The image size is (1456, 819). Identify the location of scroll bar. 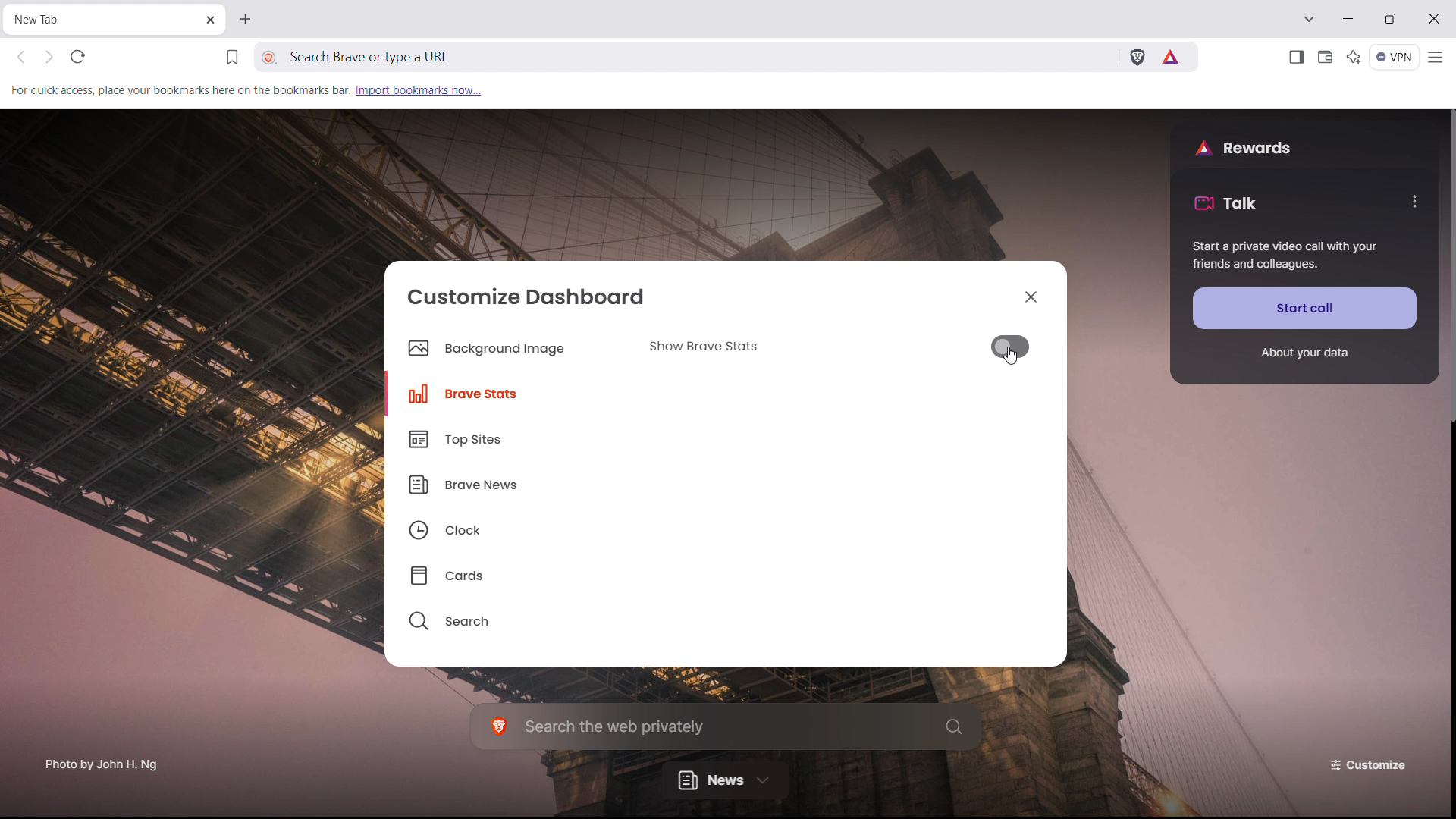
(1447, 618).